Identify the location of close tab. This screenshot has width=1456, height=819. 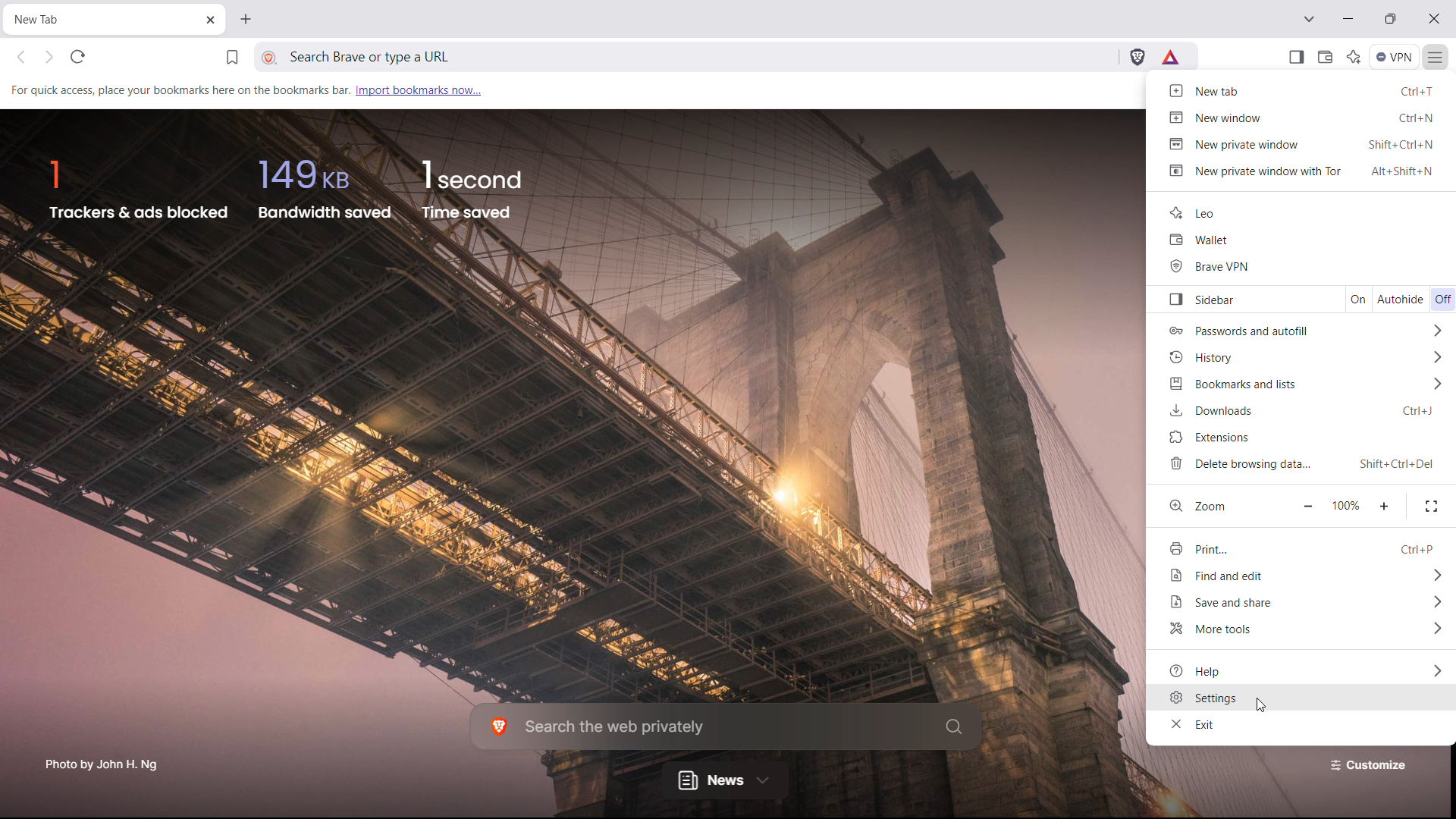
(211, 21).